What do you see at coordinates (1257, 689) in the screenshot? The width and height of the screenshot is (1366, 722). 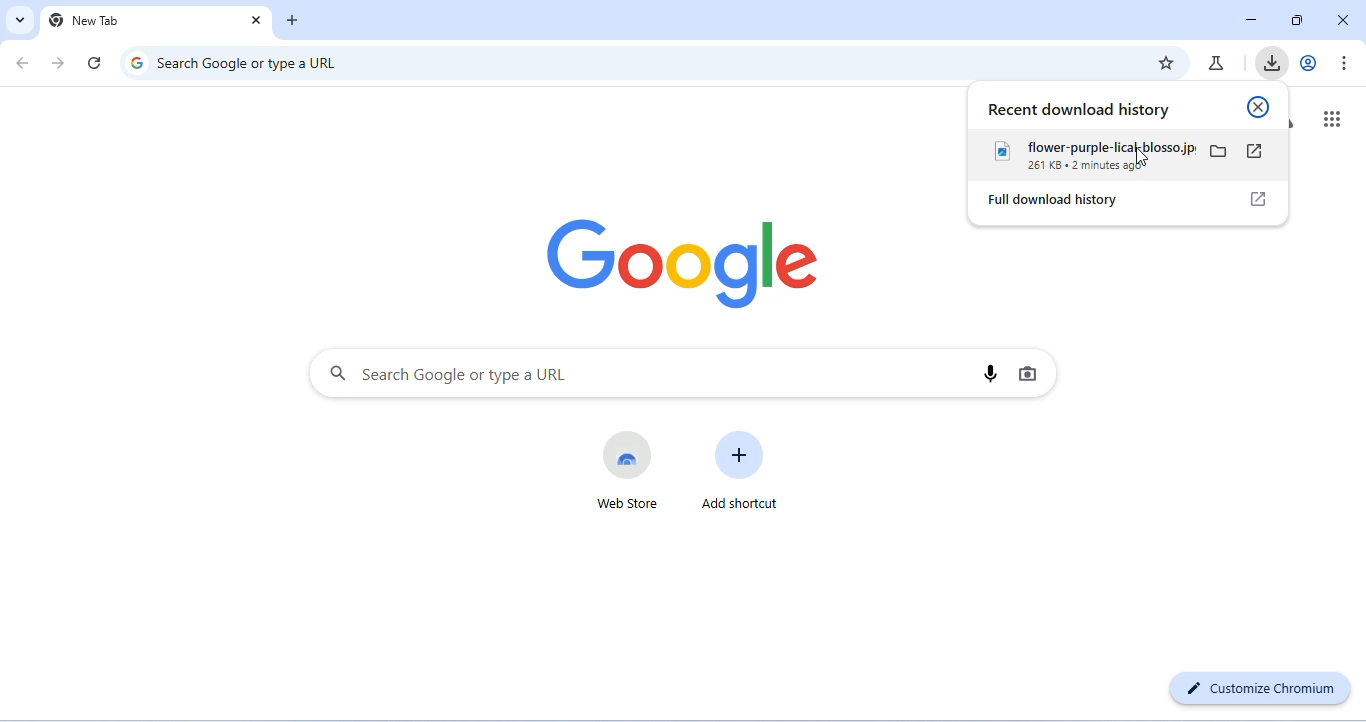 I see `customize chromium` at bounding box center [1257, 689].